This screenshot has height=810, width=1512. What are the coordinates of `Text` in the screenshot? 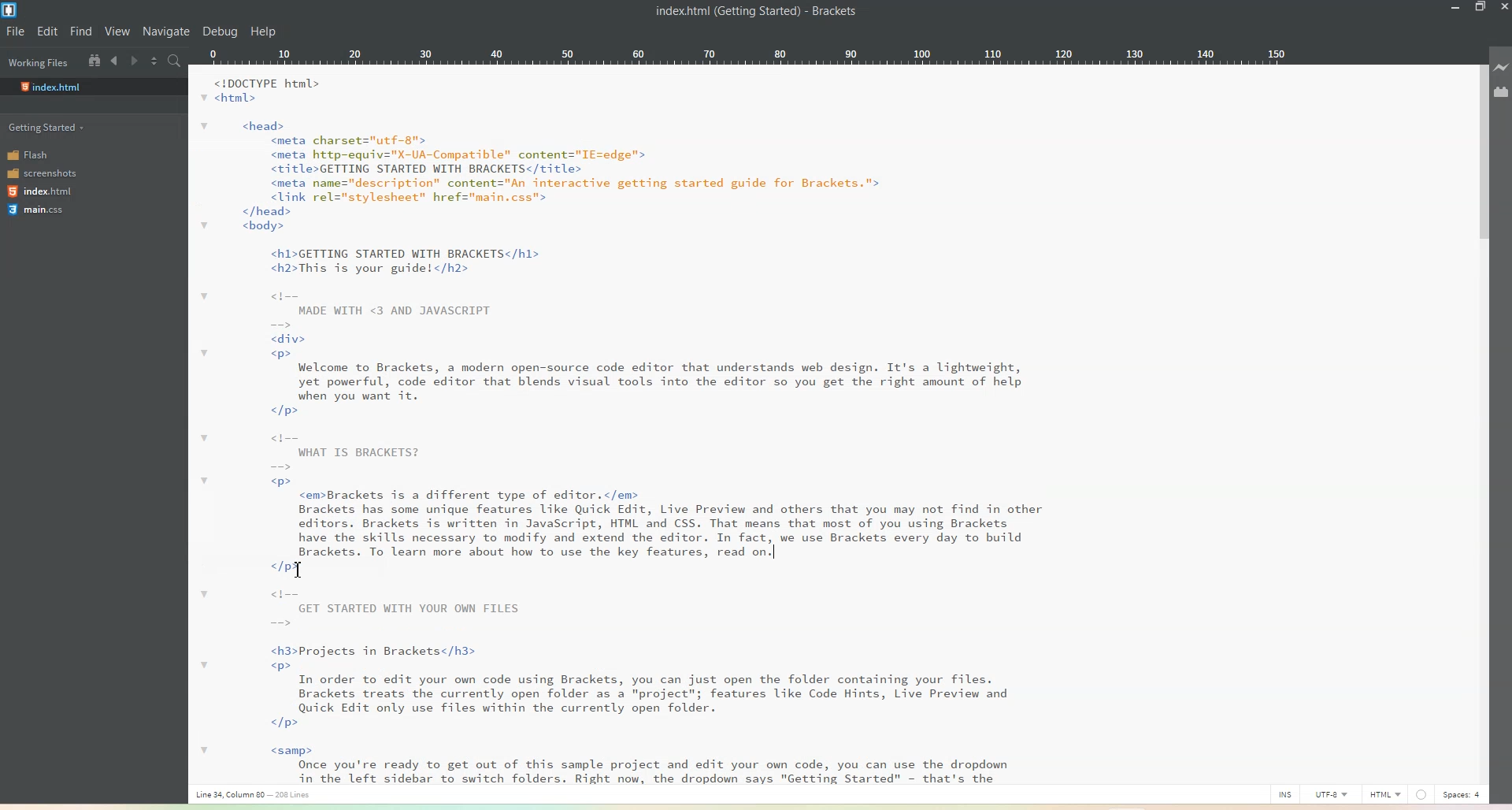 It's located at (832, 428).